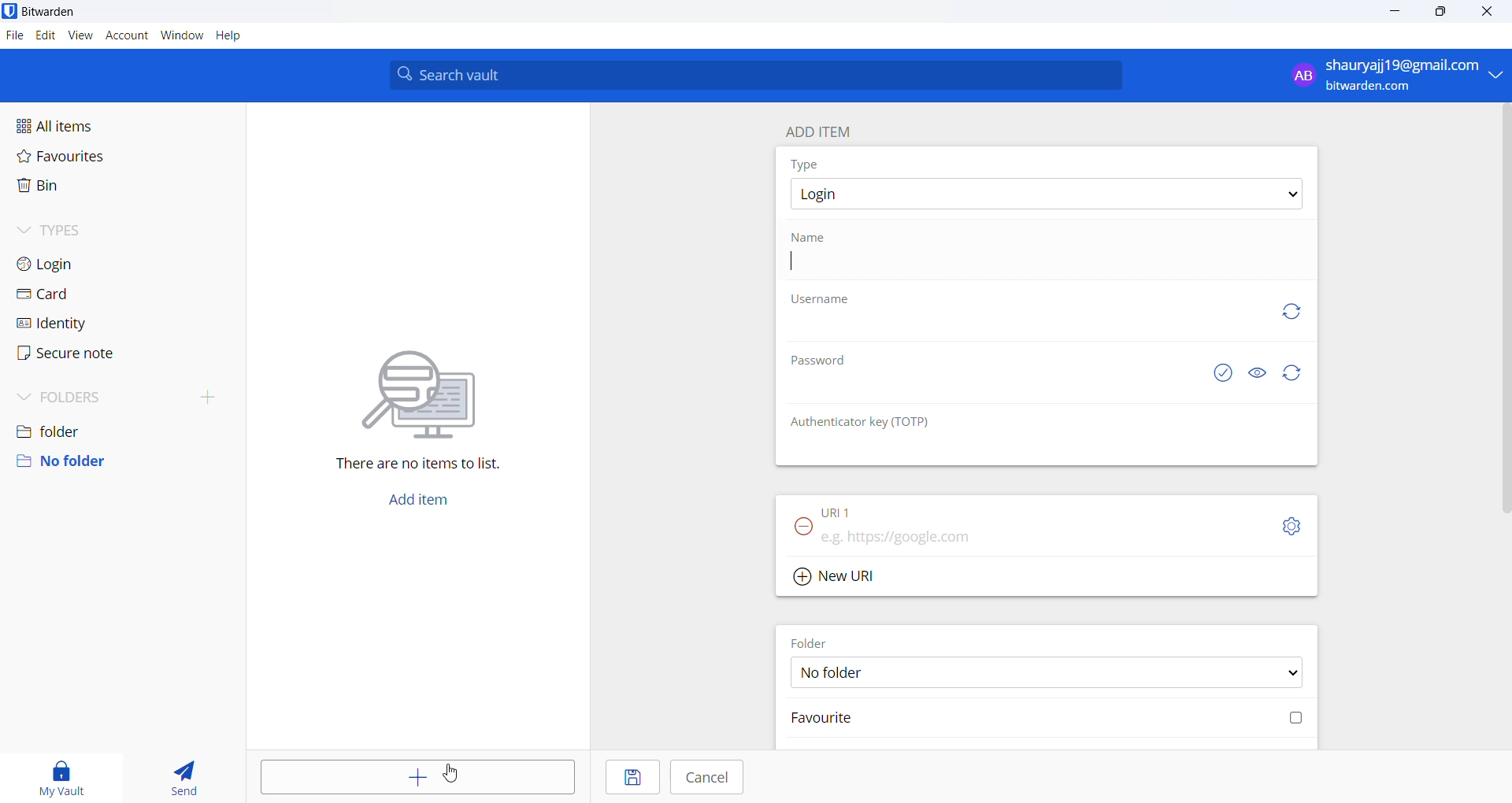  What do you see at coordinates (417, 413) in the screenshot?
I see `There are no items to list.` at bounding box center [417, 413].